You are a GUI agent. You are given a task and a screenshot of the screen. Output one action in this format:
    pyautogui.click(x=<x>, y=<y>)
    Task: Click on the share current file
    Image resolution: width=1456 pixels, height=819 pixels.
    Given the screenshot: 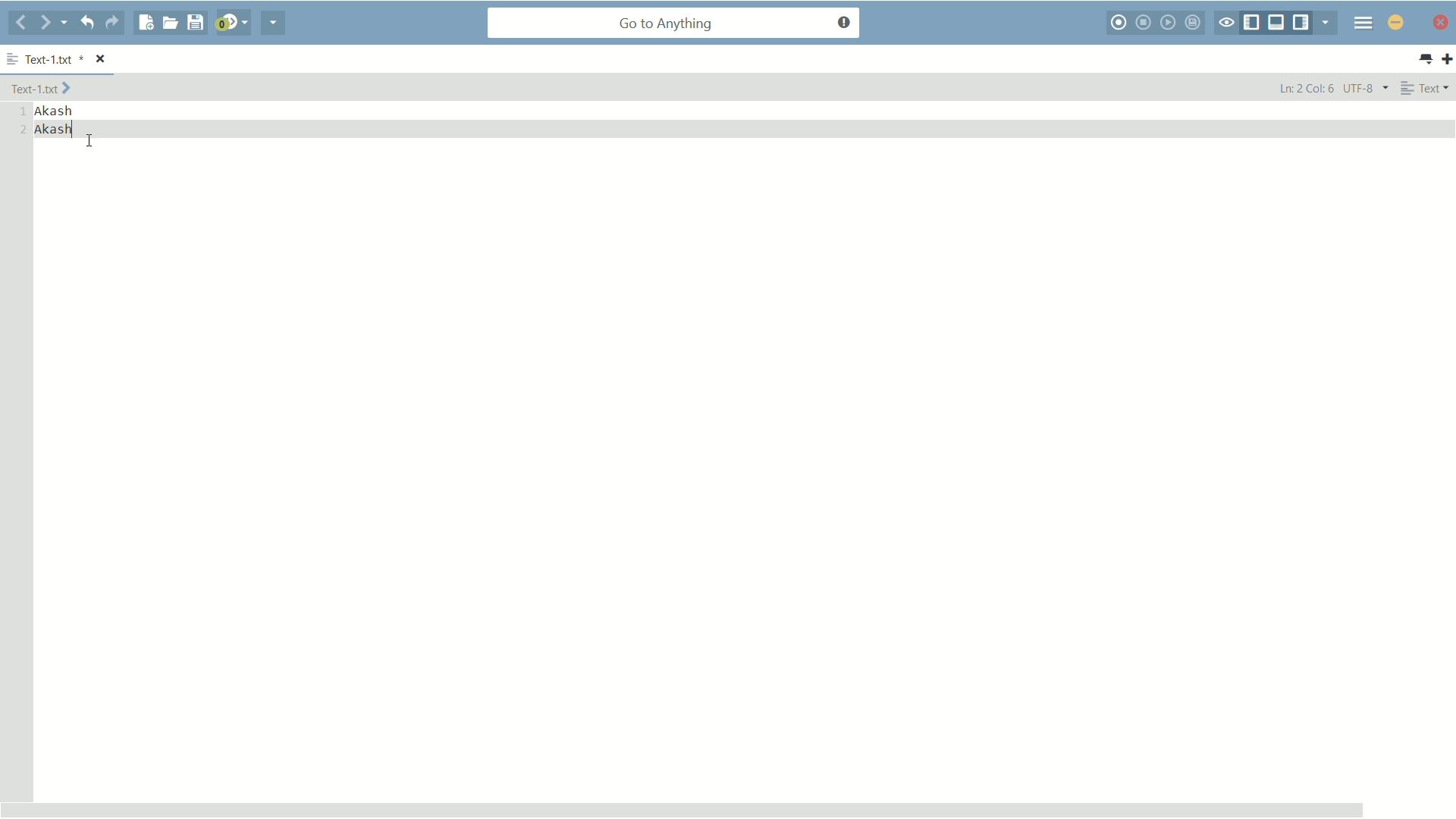 What is the action you would take?
    pyautogui.click(x=272, y=24)
    